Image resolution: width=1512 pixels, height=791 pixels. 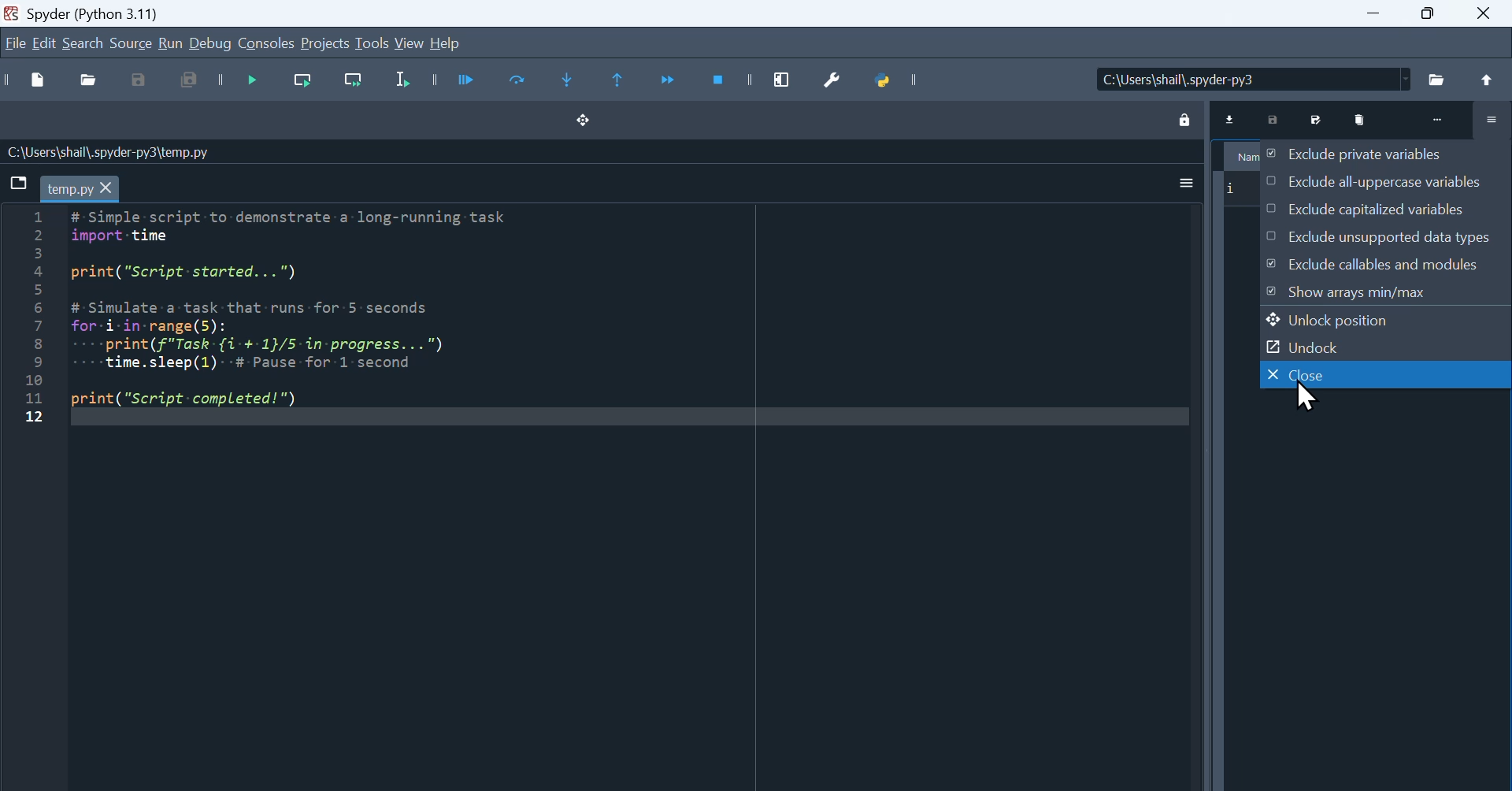 I want to click on Maximize, so click(x=1429, y=15).